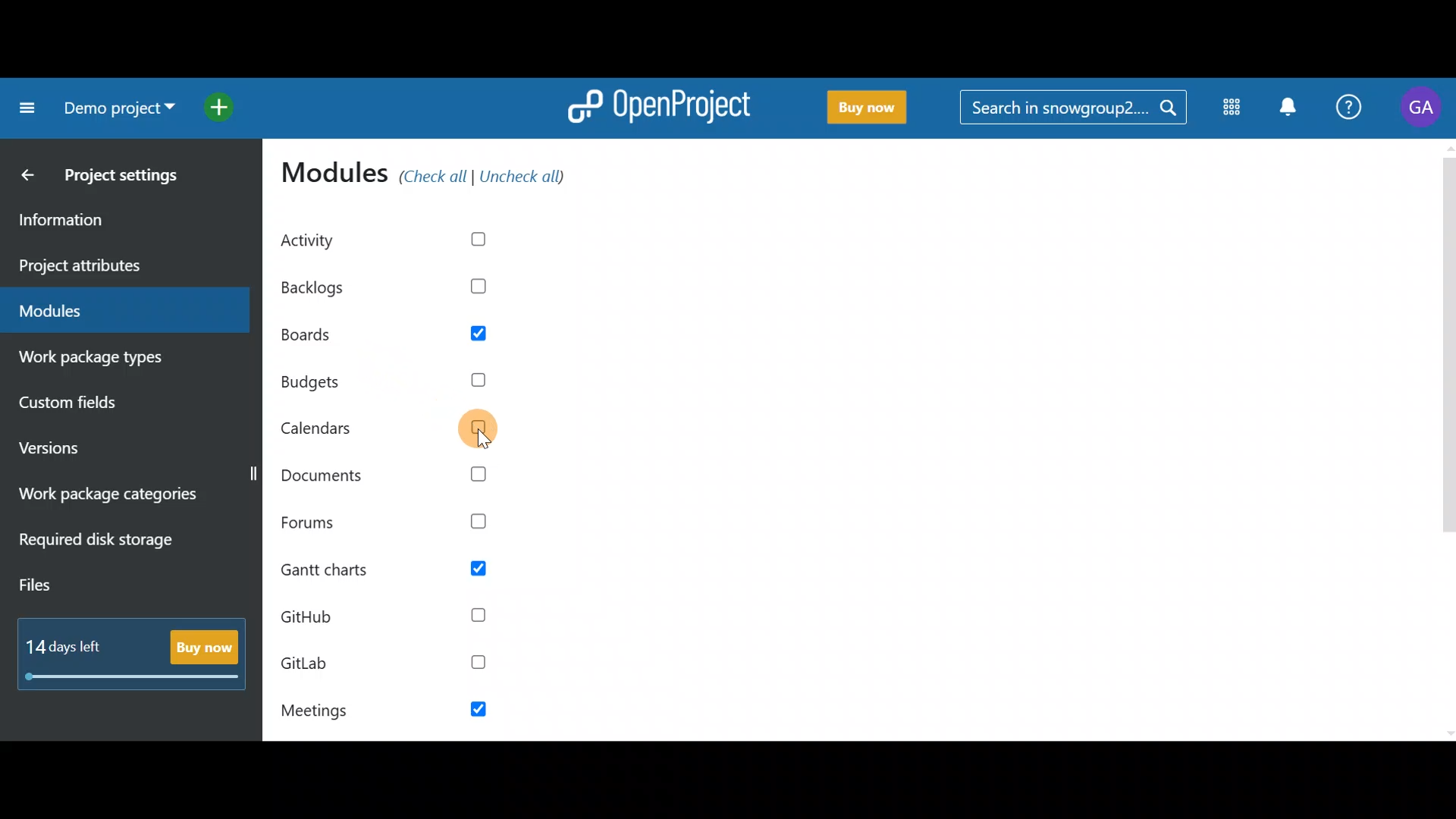 This screenshot has width=1456, height=819. I want to click on Versions, so click(78, 450).